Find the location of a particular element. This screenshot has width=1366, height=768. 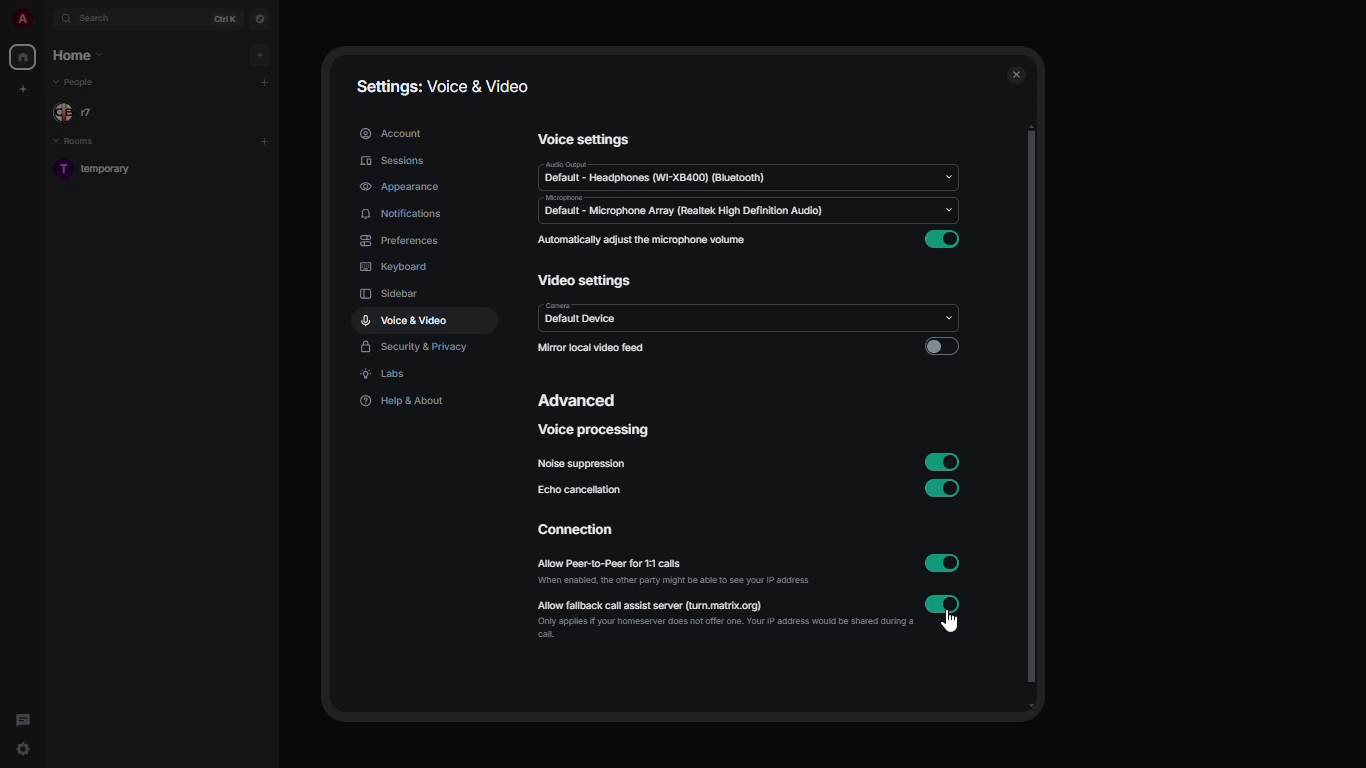

video settings is located at coordinates (587, 279).